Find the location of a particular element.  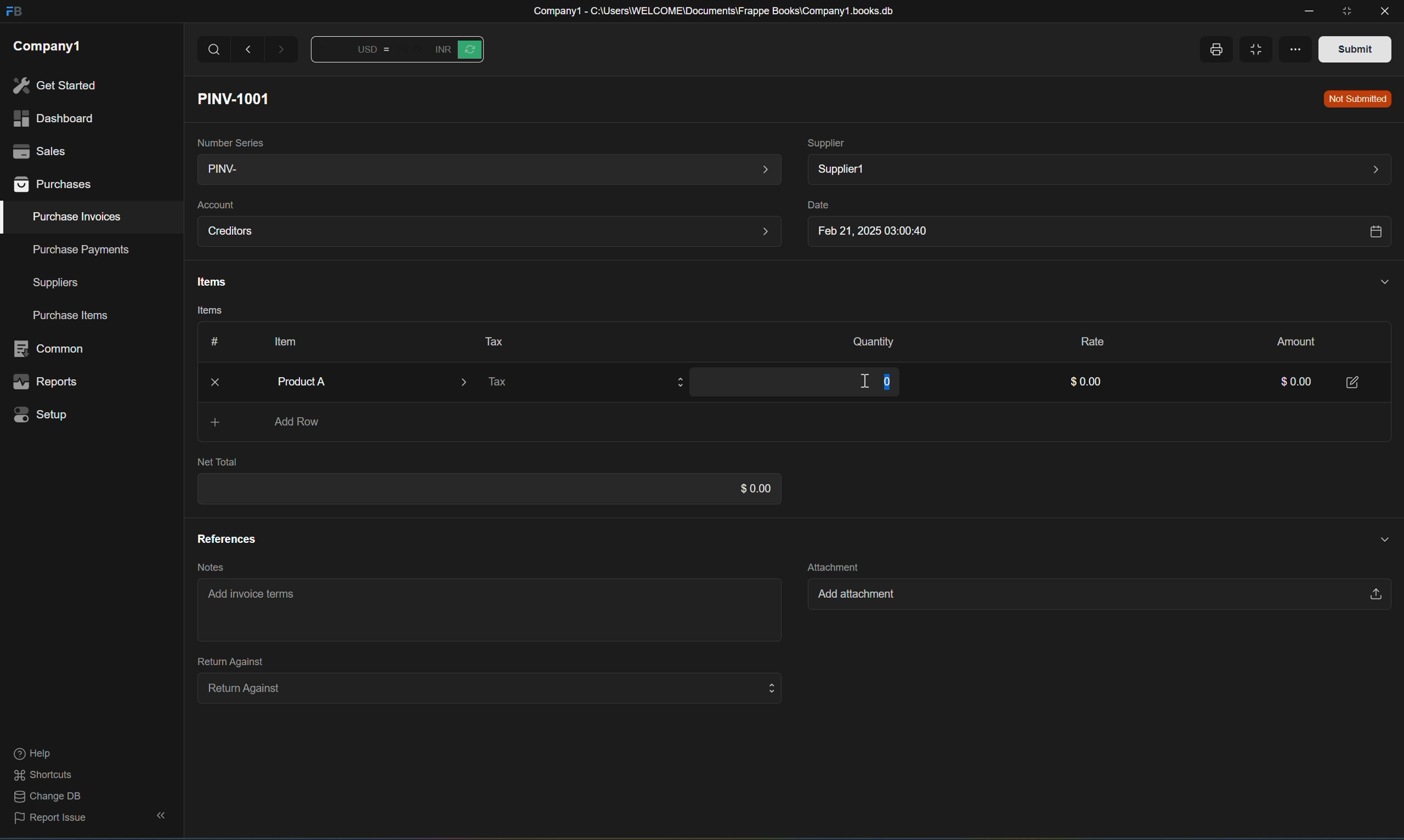

Hide is located at coordinates (1381, 281).